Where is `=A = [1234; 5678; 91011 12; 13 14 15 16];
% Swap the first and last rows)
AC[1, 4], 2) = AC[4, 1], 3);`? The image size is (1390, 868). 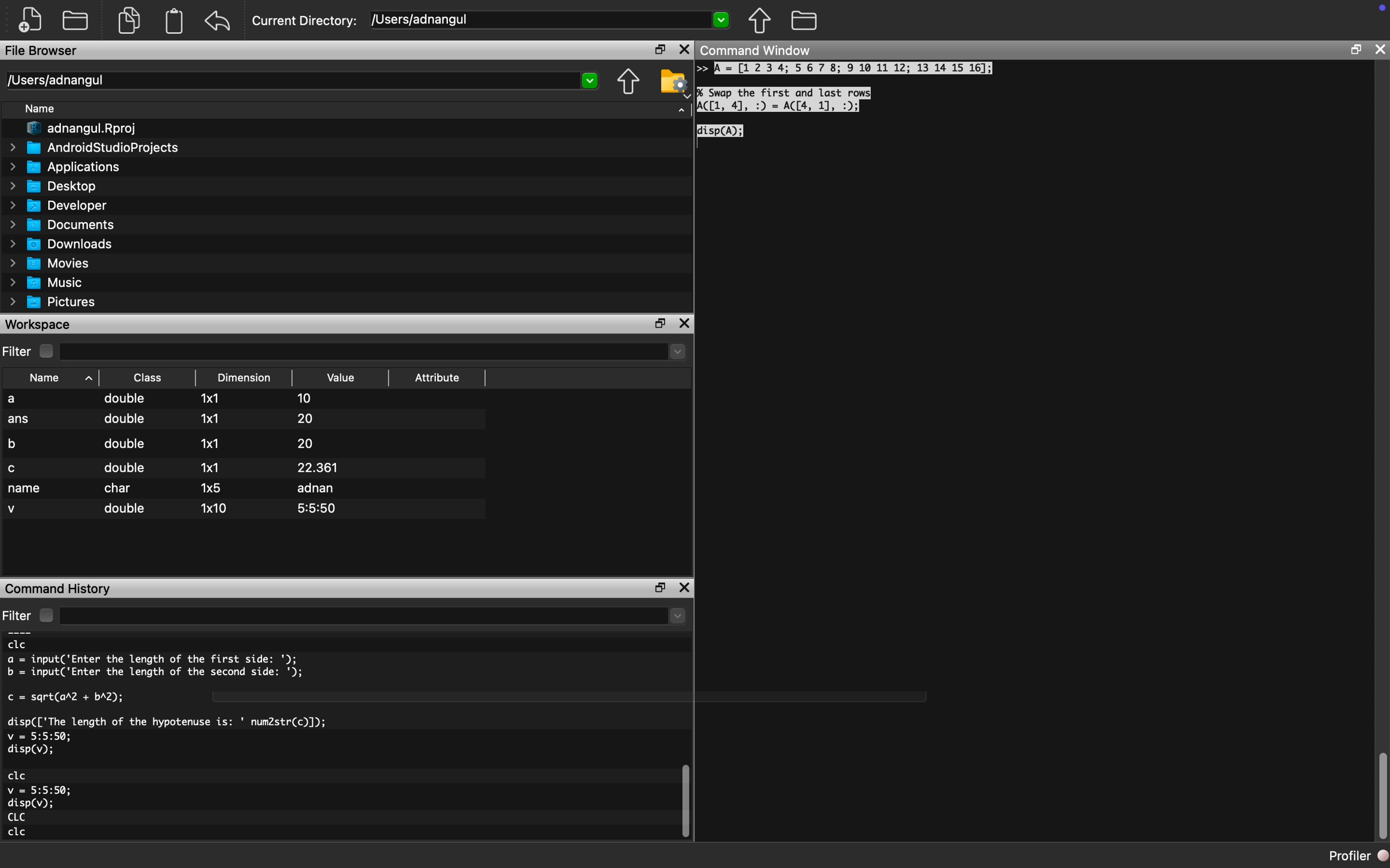
=A = [1234; 5678; 91011 12; 13 14 15 16];
% Swap the first and last rows)
AC[1, 4], 2) = AC[4, 1], 3); is located at coordinates (859, 107).